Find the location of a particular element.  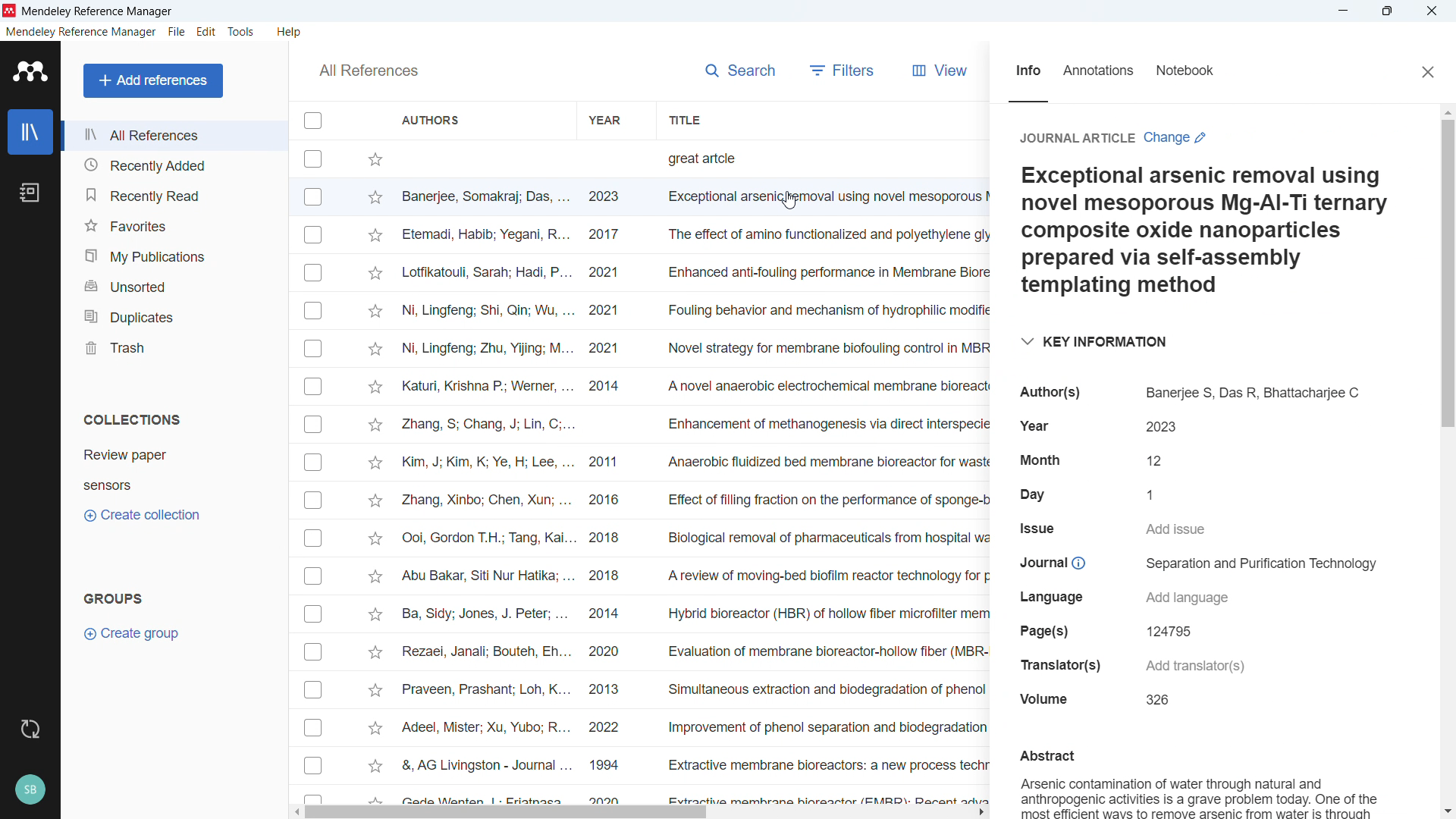

add references is located at coordinates (152, 80).